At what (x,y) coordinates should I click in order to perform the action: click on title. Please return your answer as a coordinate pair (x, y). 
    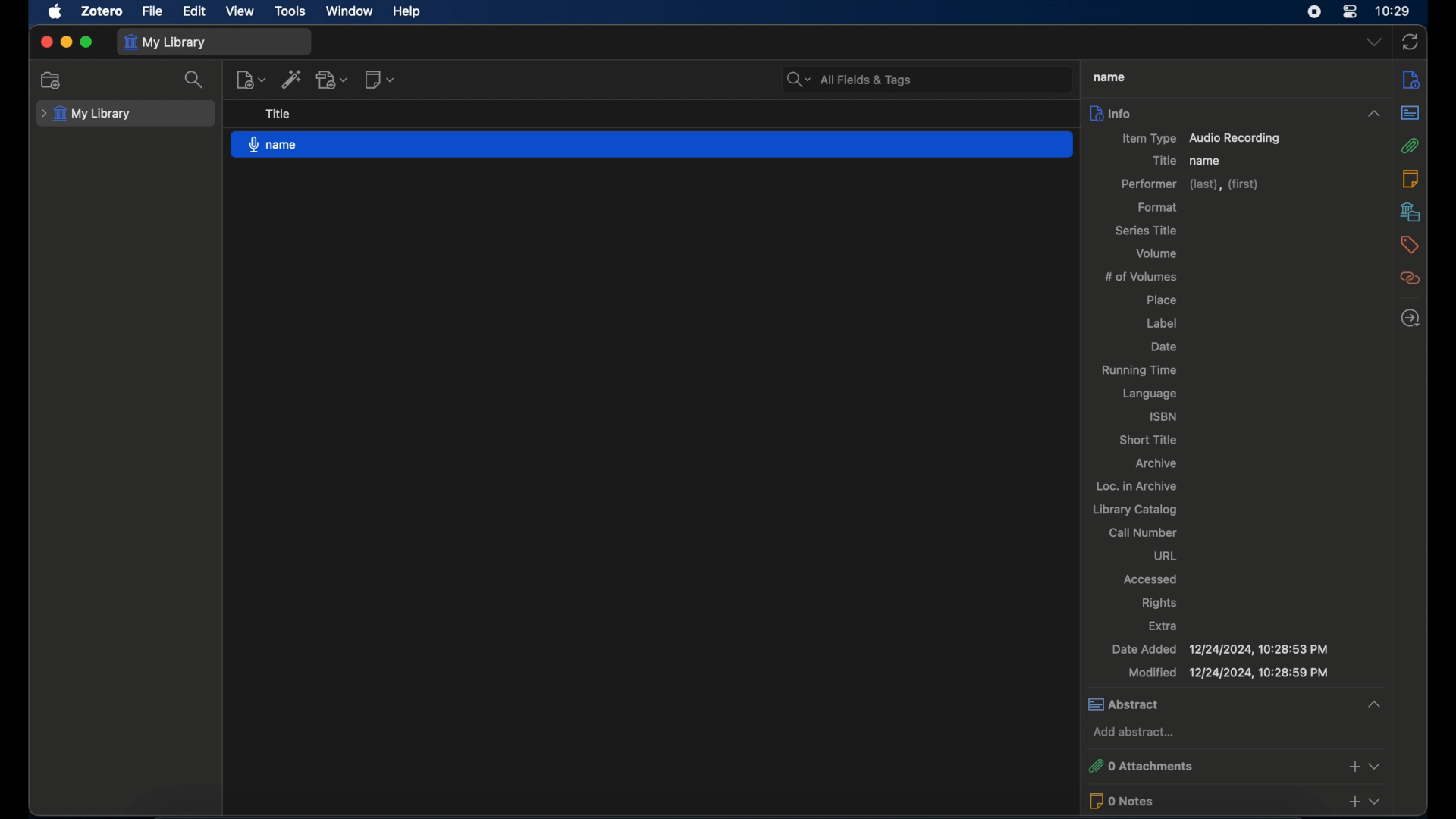
    Looking at the image, I should click on (1107, 77).